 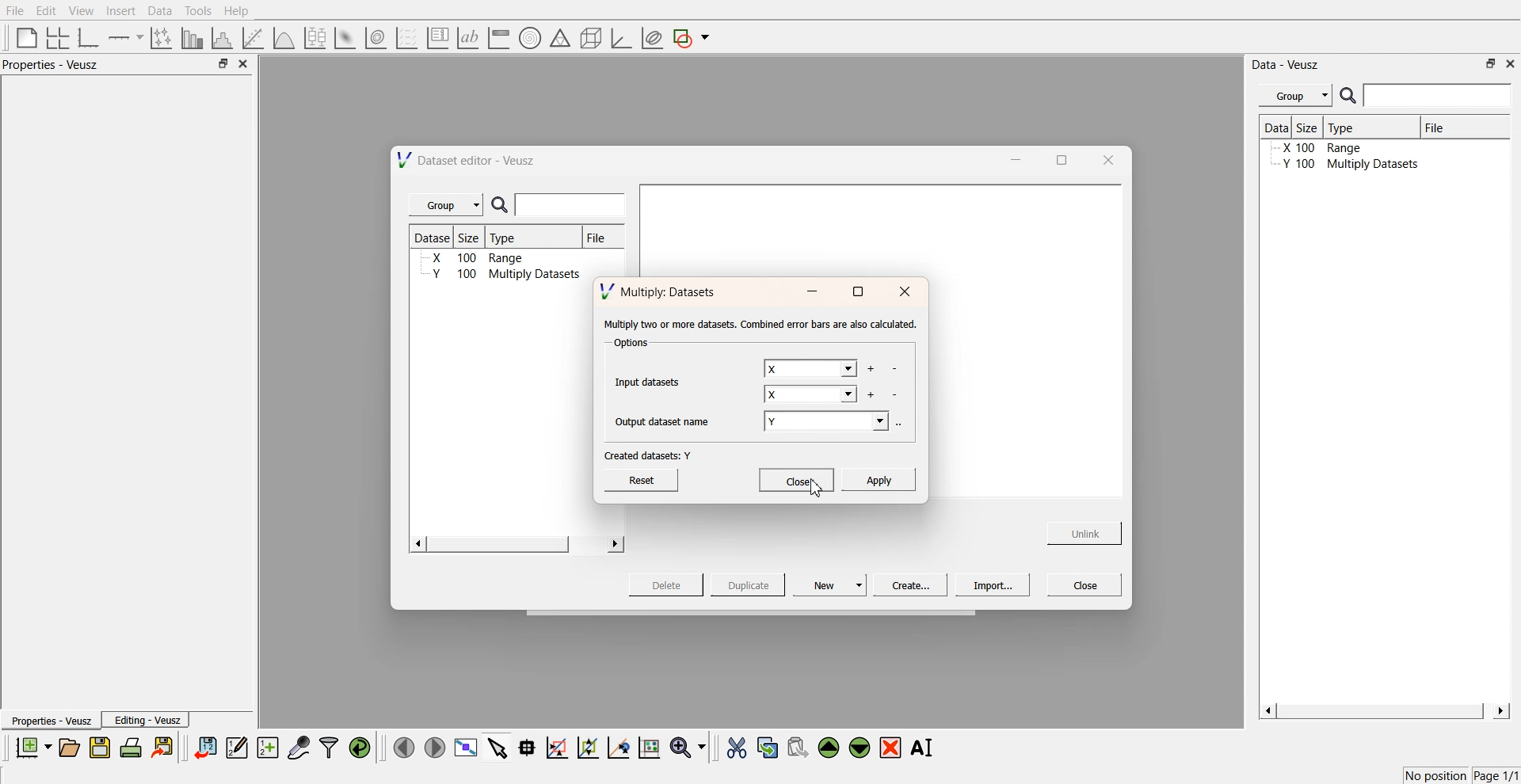 I want to click on histogram, so click(x=225, y=37).